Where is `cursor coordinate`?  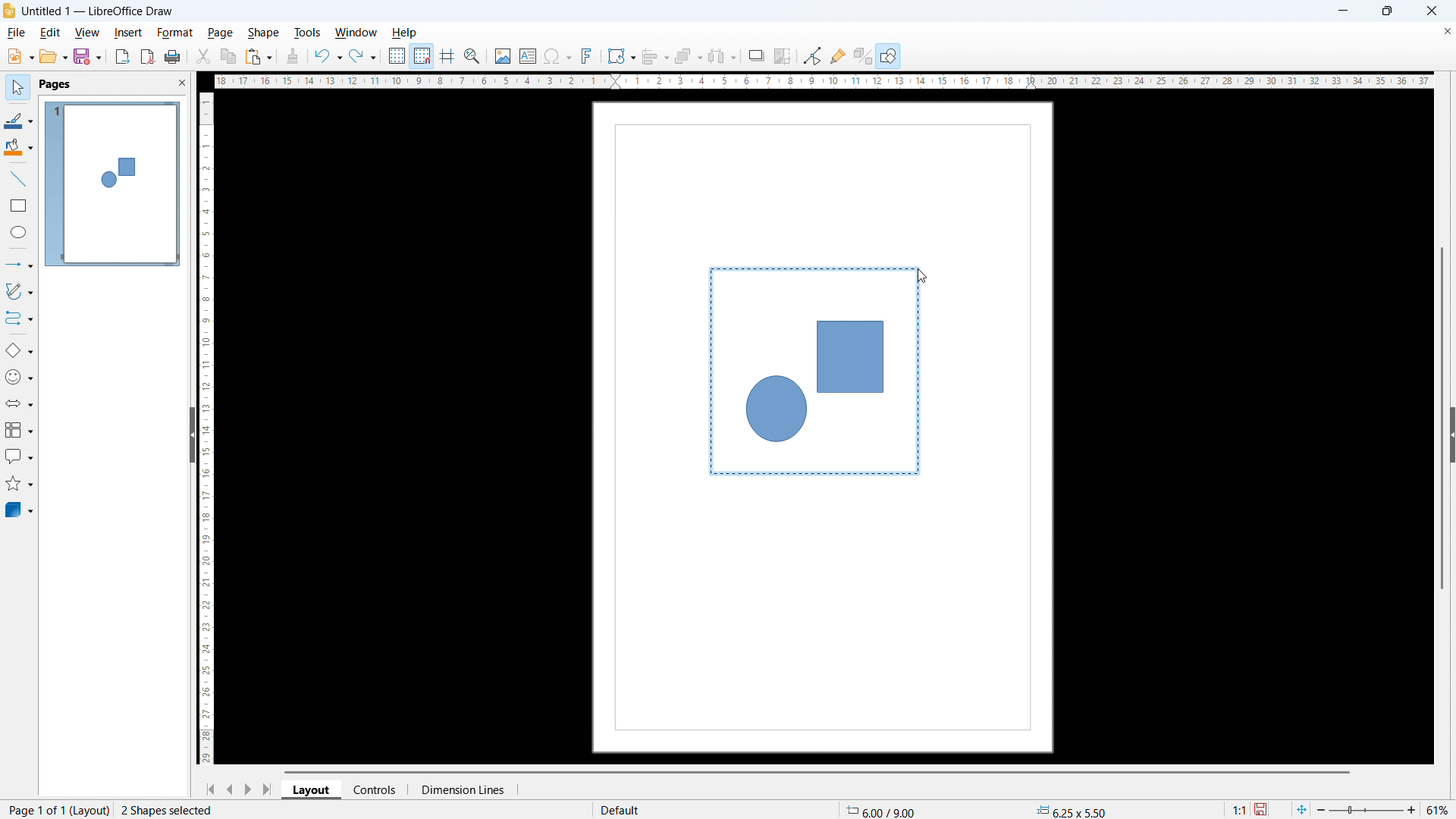 cursor coordinate is located at coordinates (884, 810).